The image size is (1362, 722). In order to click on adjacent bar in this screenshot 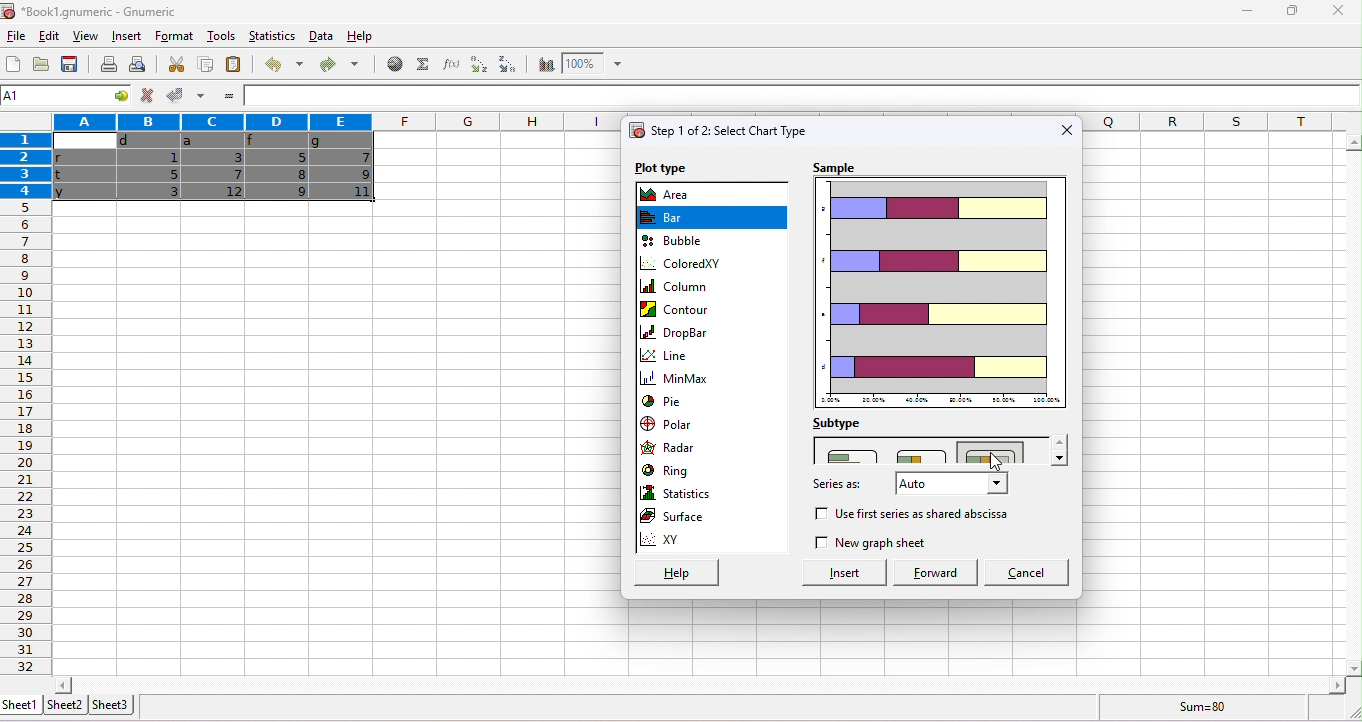, I will do `click(855, 454)`.